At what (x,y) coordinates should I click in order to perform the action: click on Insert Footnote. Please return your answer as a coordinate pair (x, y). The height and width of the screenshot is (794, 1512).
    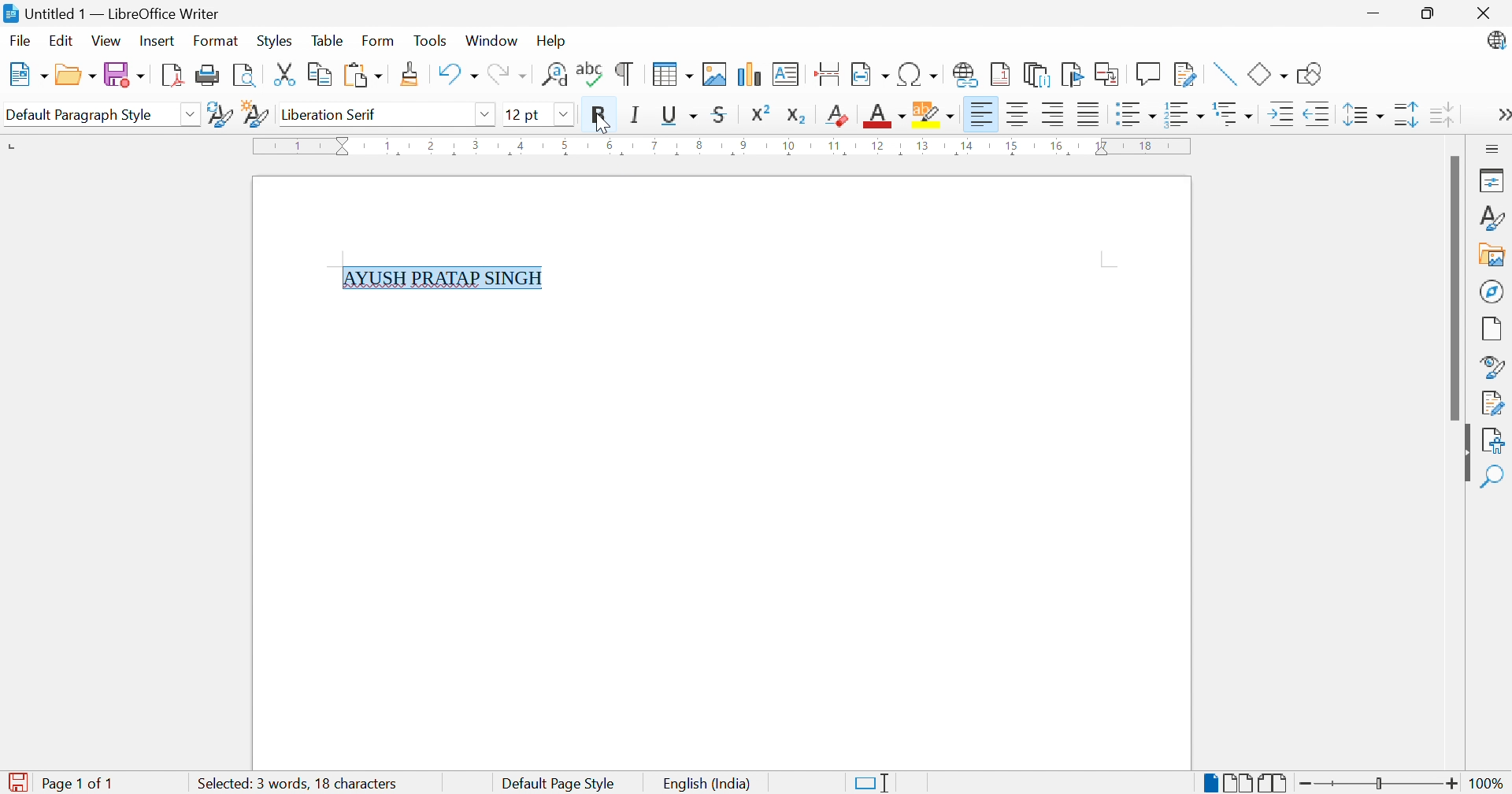
    Looking at the image, I should click on (999, 76).